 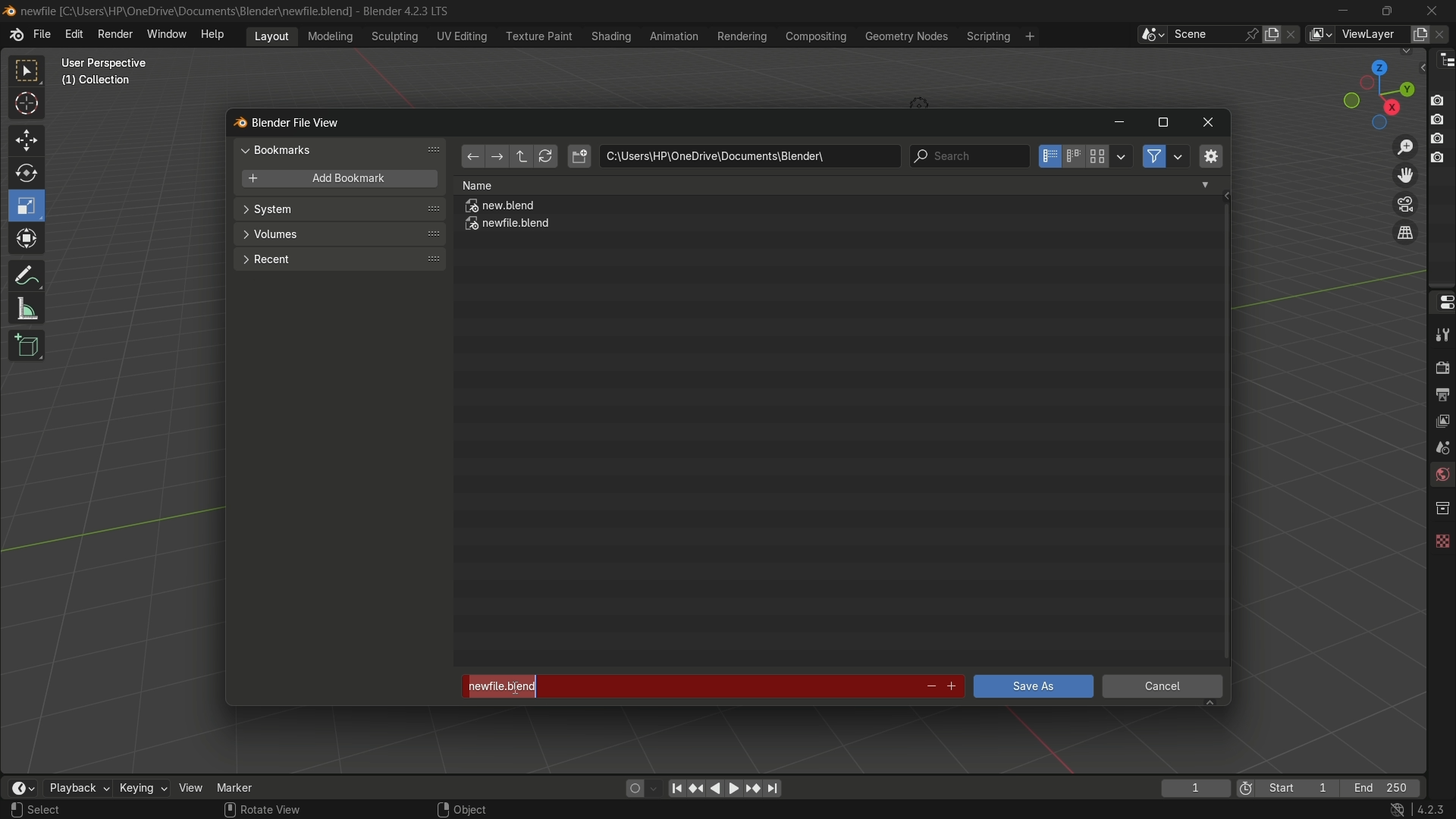 I want to click on maximize or restore, so click(x=1163, y=123).